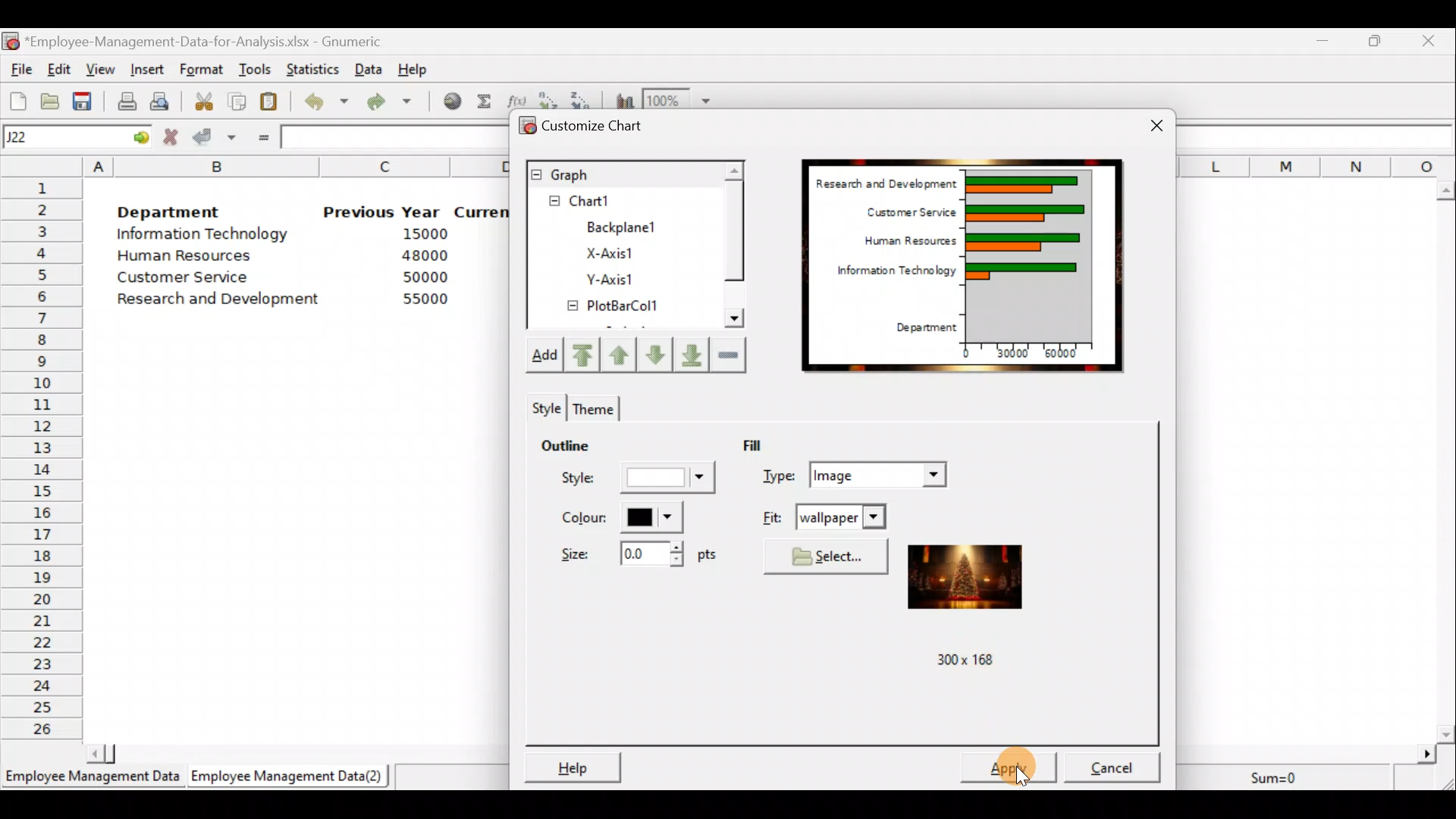 This screenshot has width=1456, height=819. I want to click on Paste the clipboard, so click(273, 103).